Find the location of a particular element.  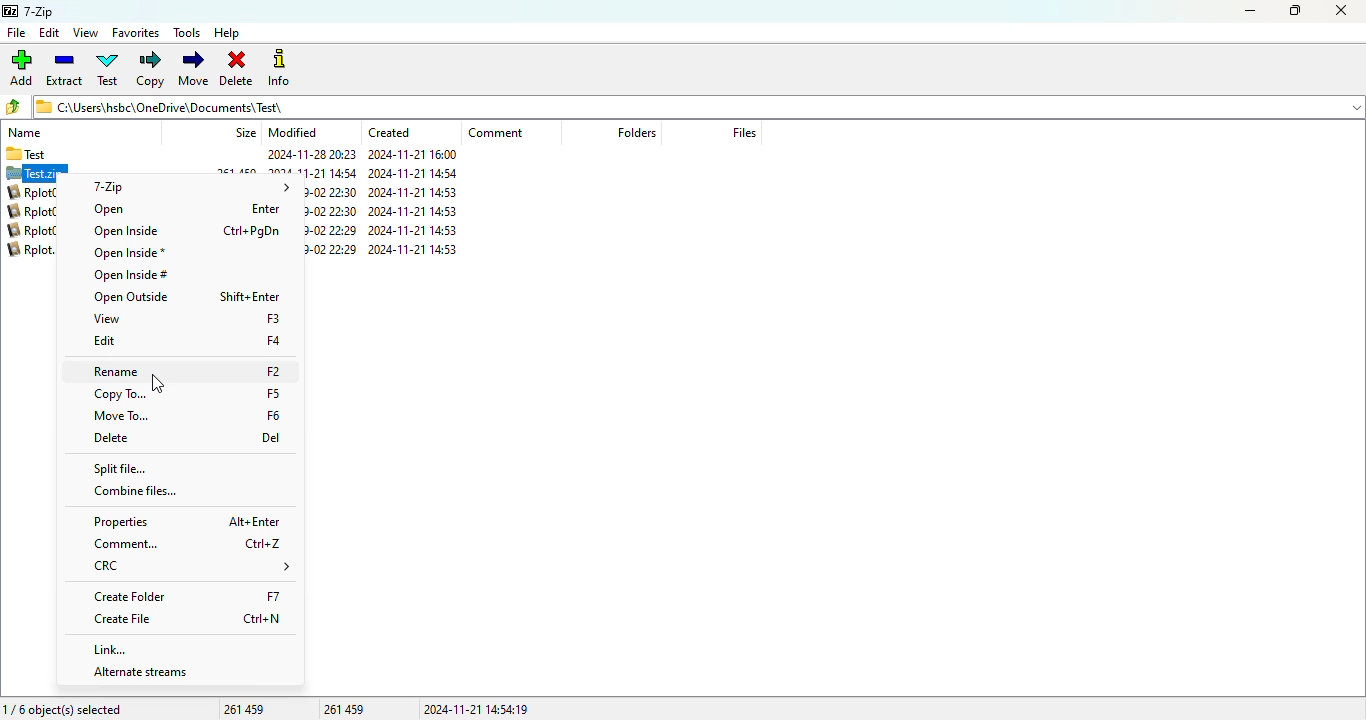

properties is located at coordinates (121, 521).